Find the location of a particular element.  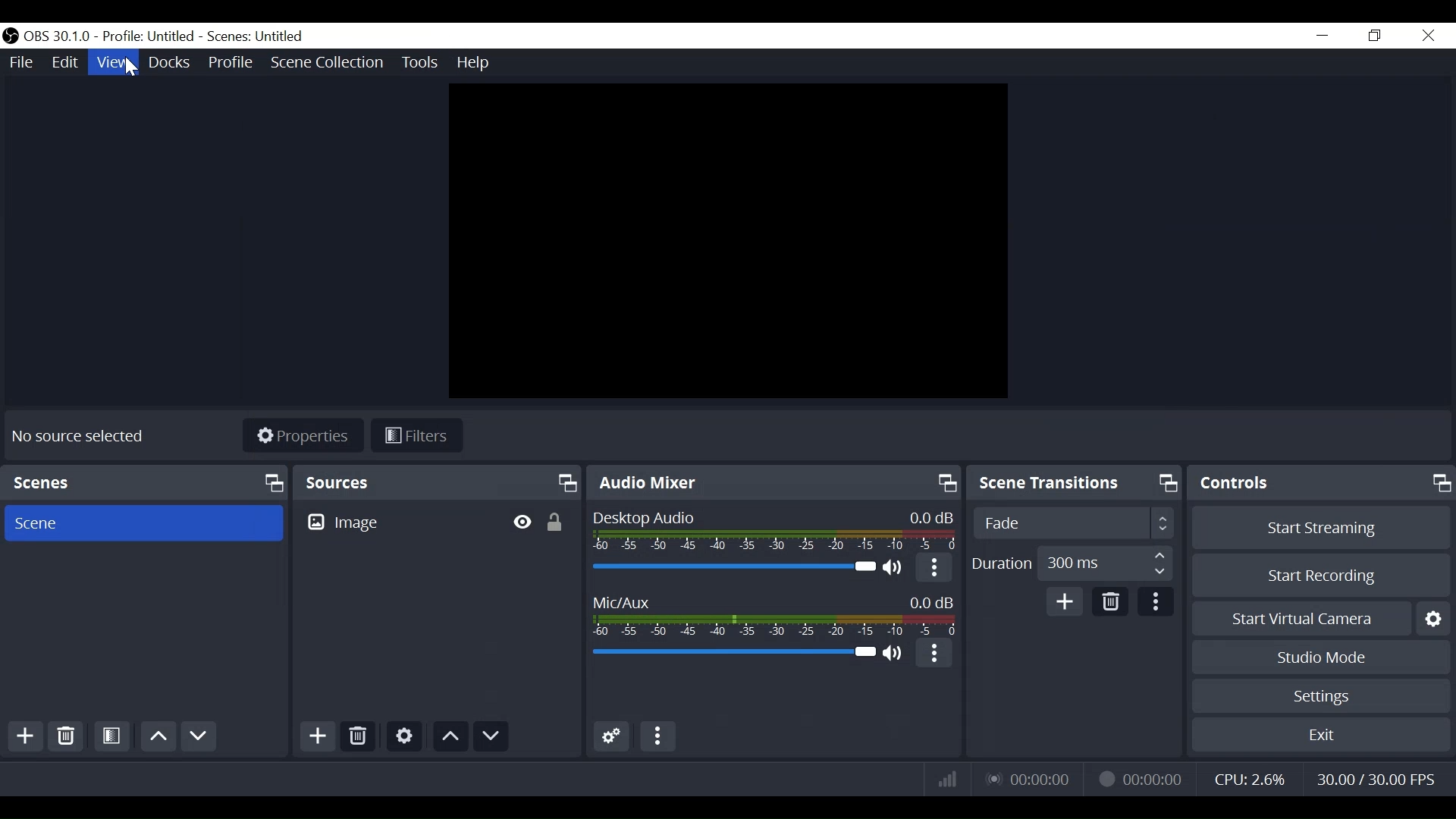

Settings is located at coordinates (1321, 695).